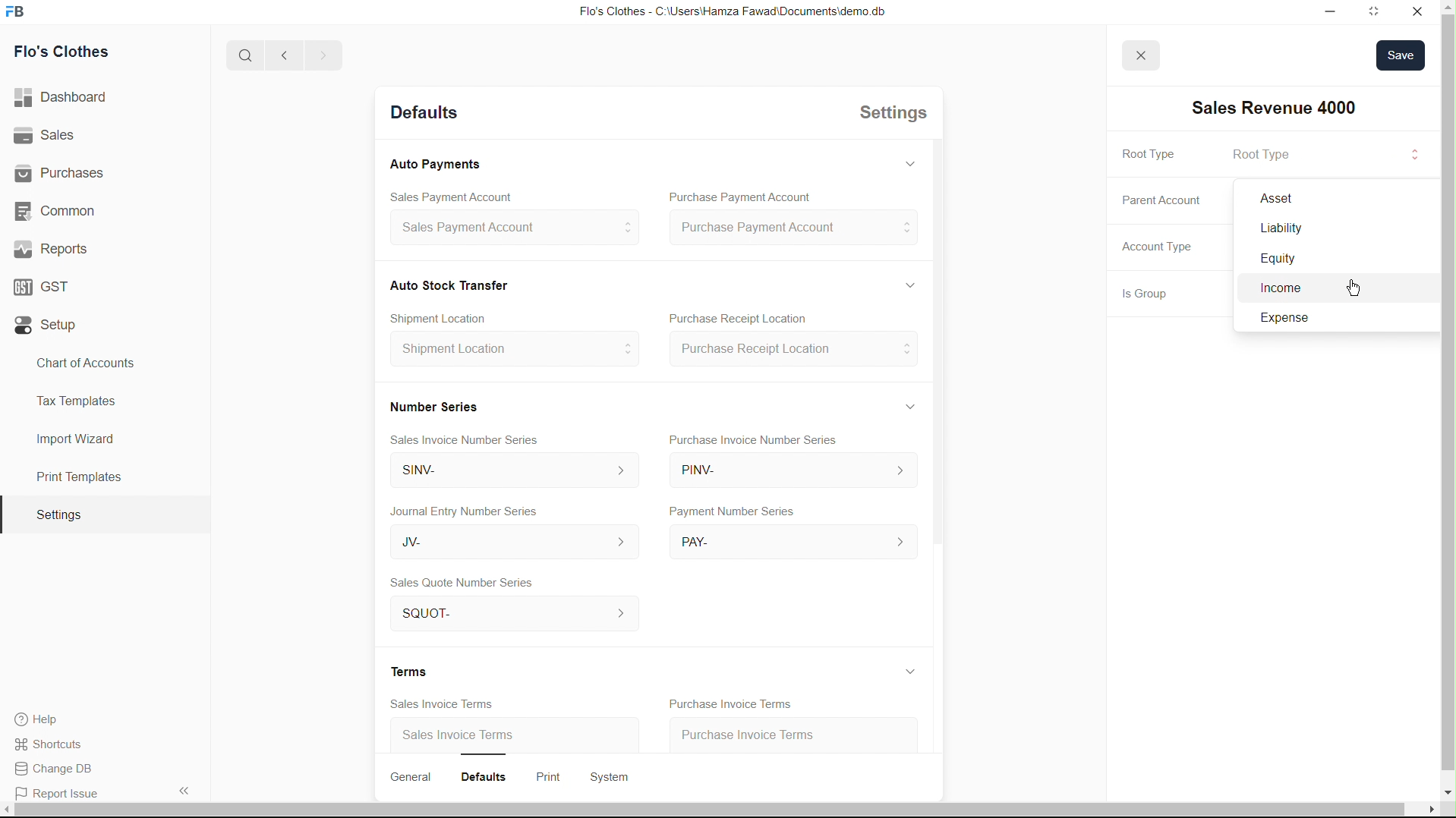 The height and width of the screenshot is (818, 1456). I want to click on Journal Entry Number Series, so click(474, 508).